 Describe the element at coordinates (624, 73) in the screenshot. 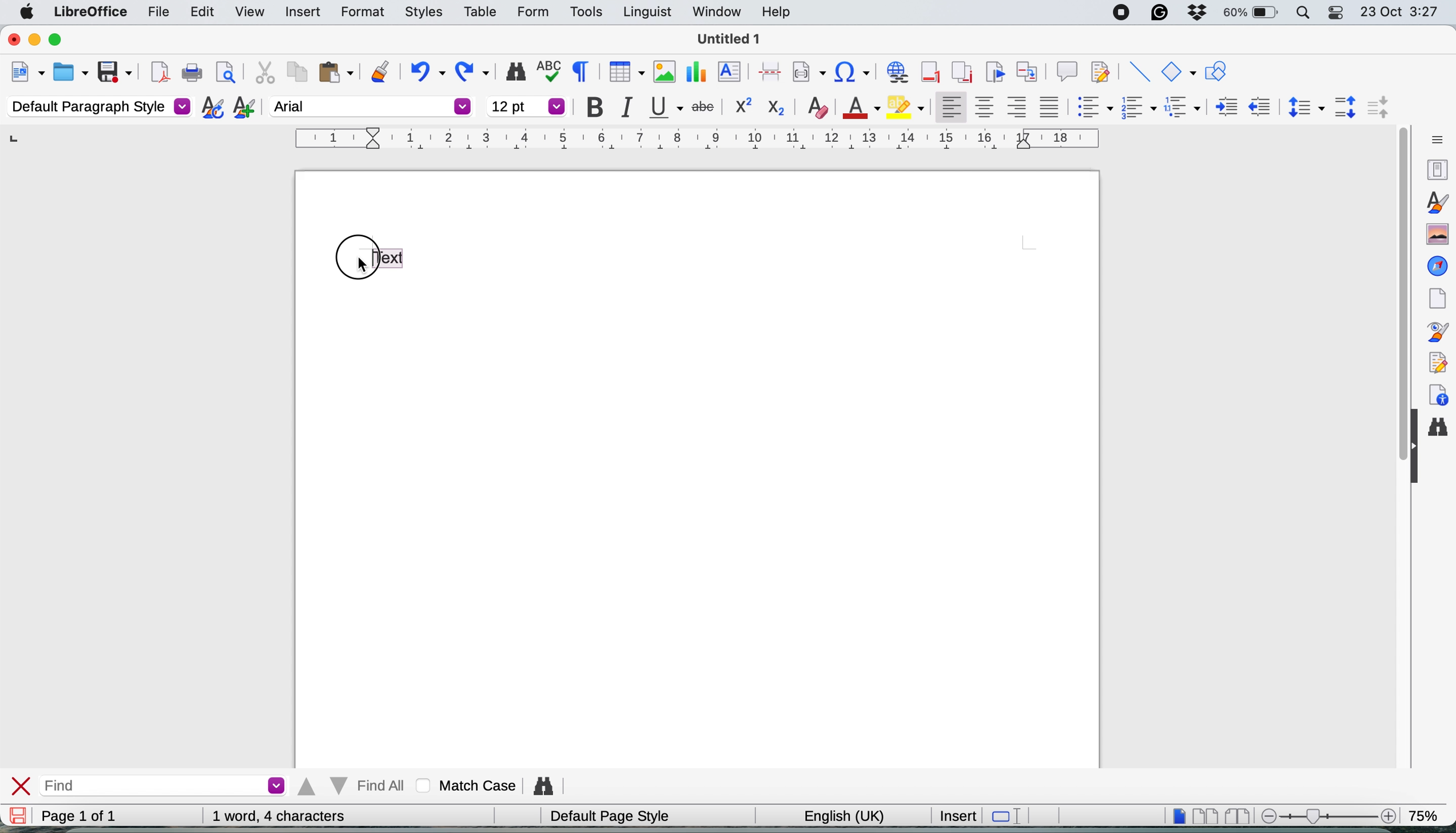

I see `insert table` at that location.